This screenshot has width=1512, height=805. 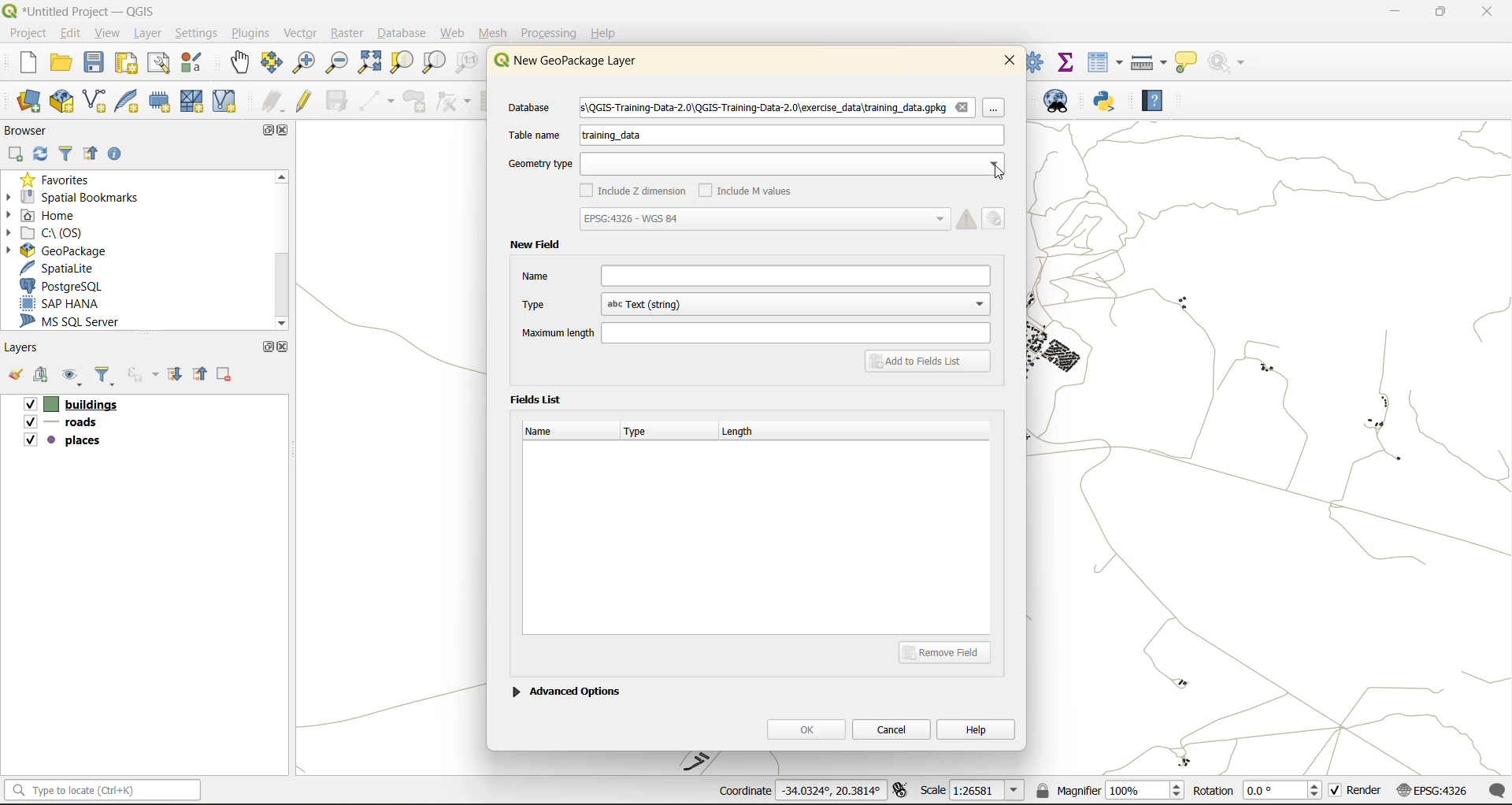 I want to click on Pointer, so click(x=1003, y=173).